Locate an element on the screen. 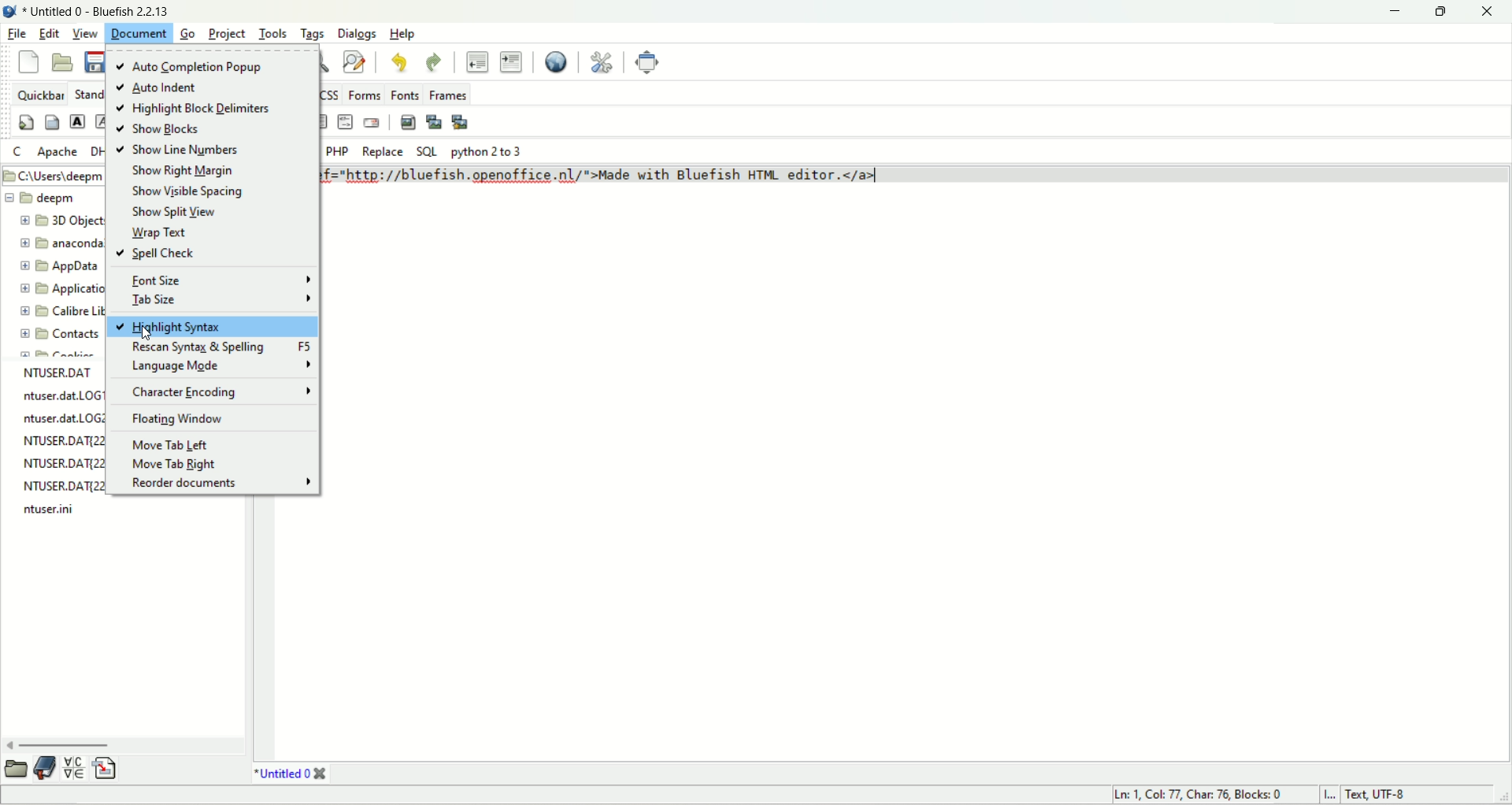 The height and width of the screenshot is (805, 1512). C is located at coordinates (20, 151).